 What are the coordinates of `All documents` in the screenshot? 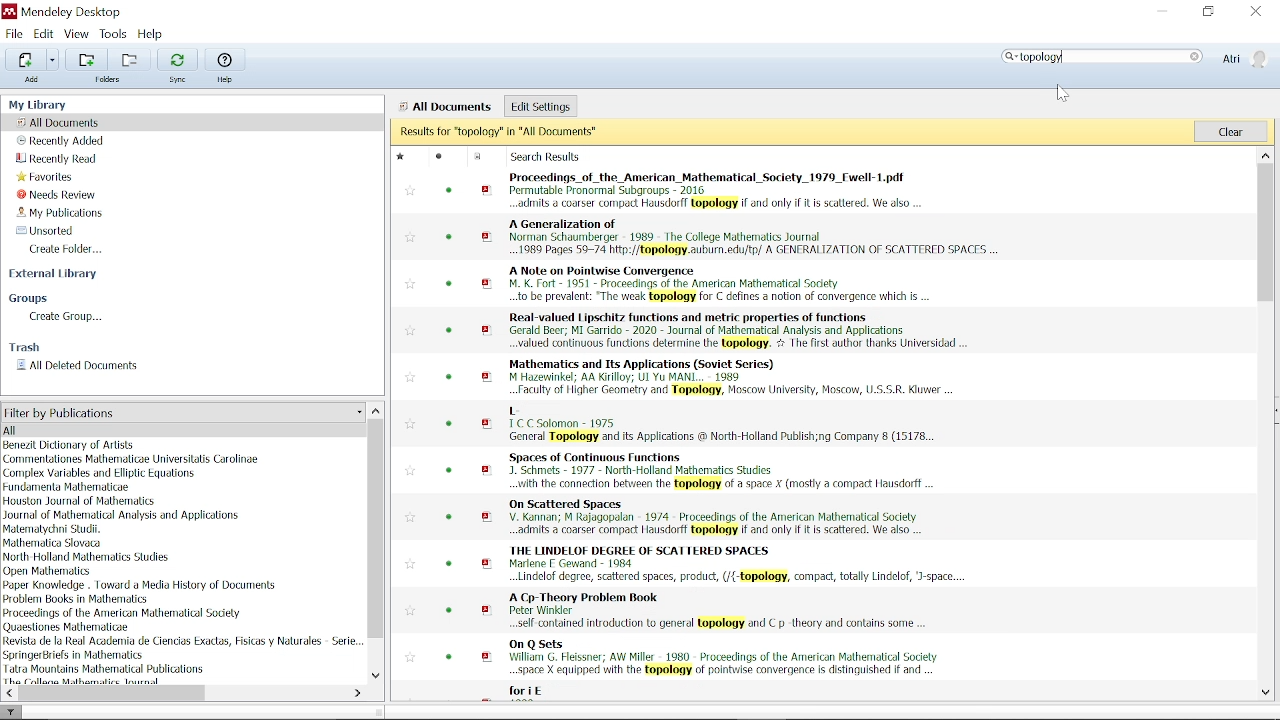 It's located at (445, 107).